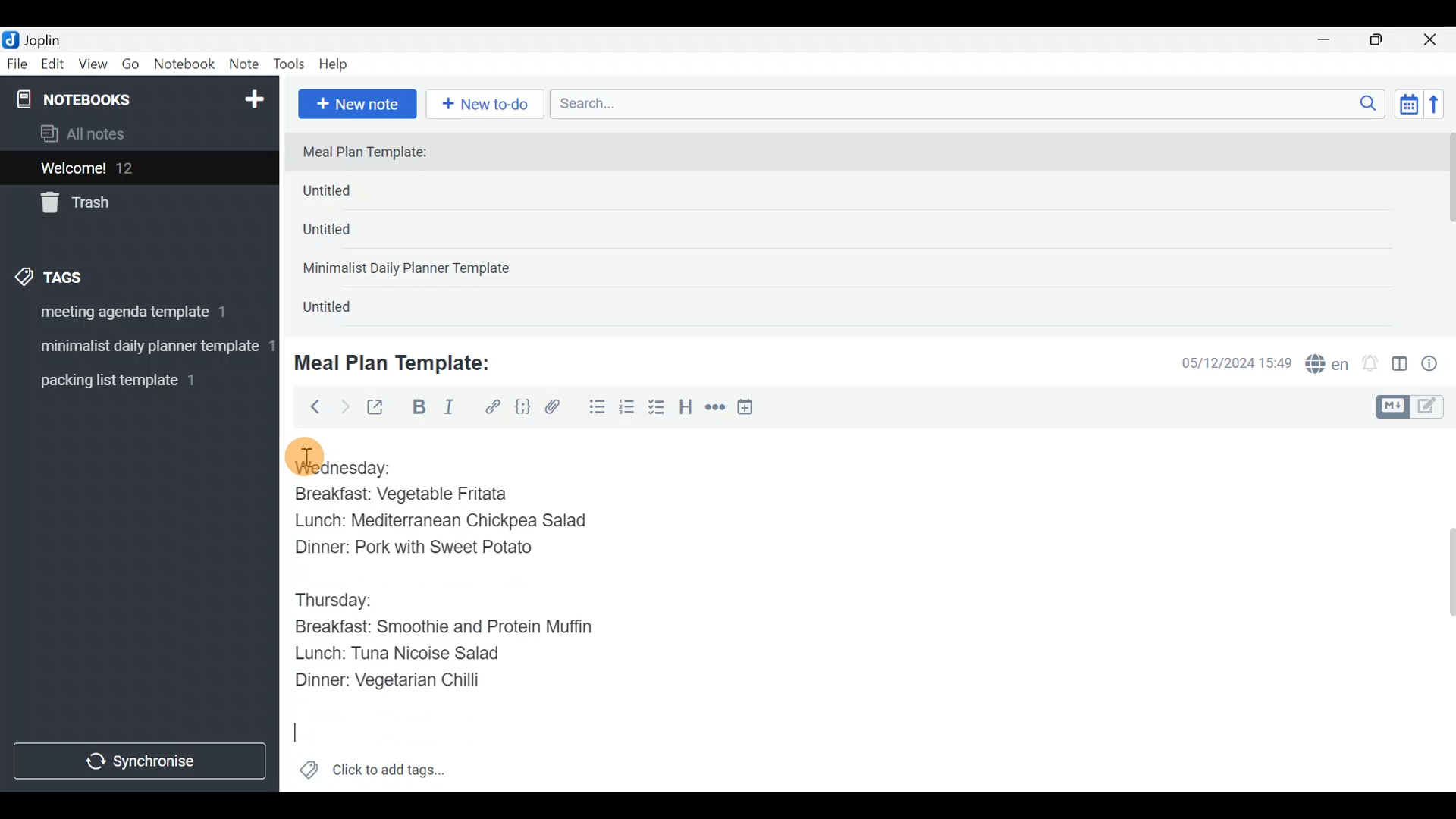 The width and height of the screenshot is (1456, 819). Describe the element at coordinates (493, 407) in the screenshot. I see `Hyperlink` at that location.